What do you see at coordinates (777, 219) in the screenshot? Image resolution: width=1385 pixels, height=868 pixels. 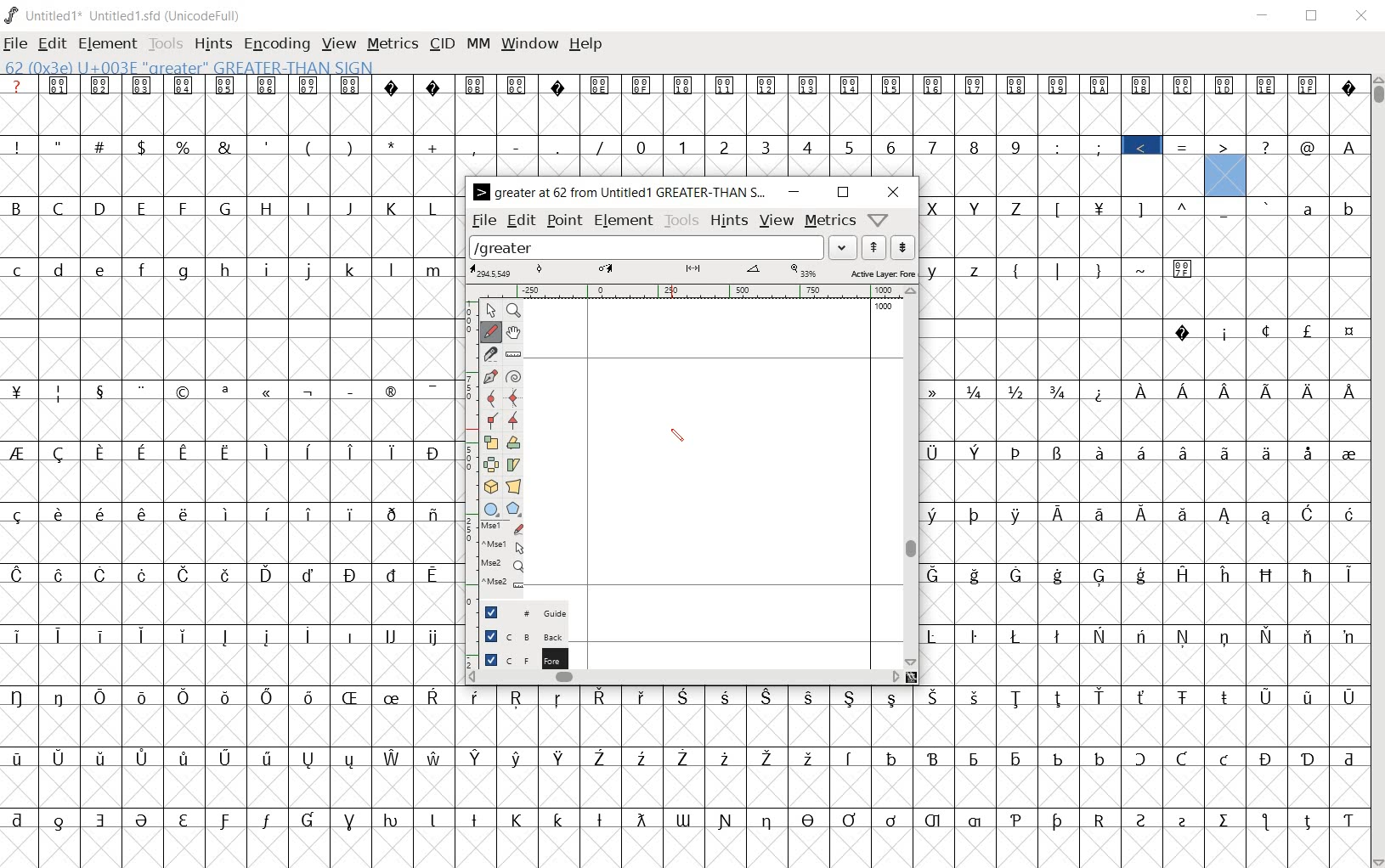 I see `view` at bounding box center [777, 219].